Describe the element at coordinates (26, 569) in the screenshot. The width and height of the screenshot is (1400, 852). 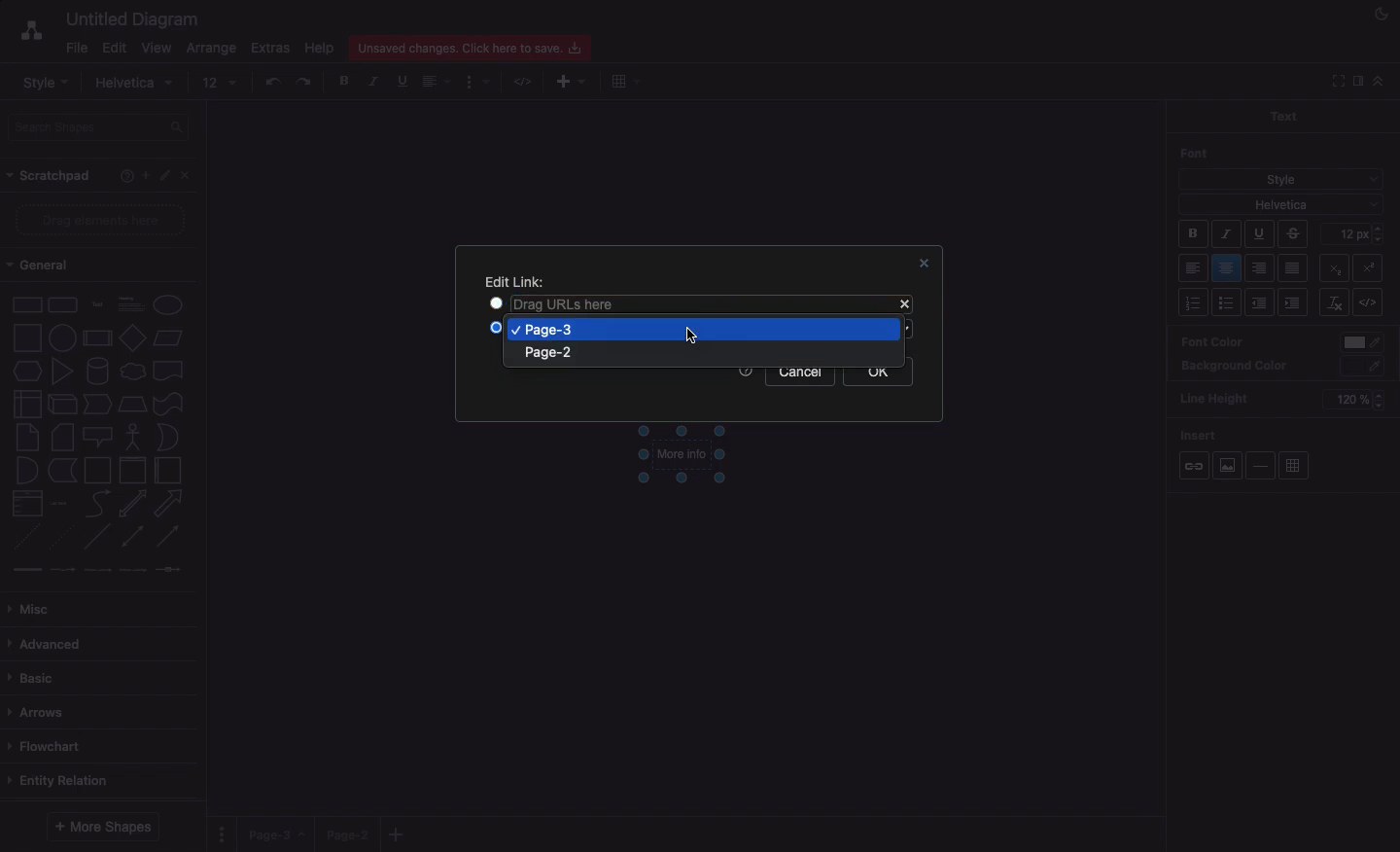
I see `link` at that location.